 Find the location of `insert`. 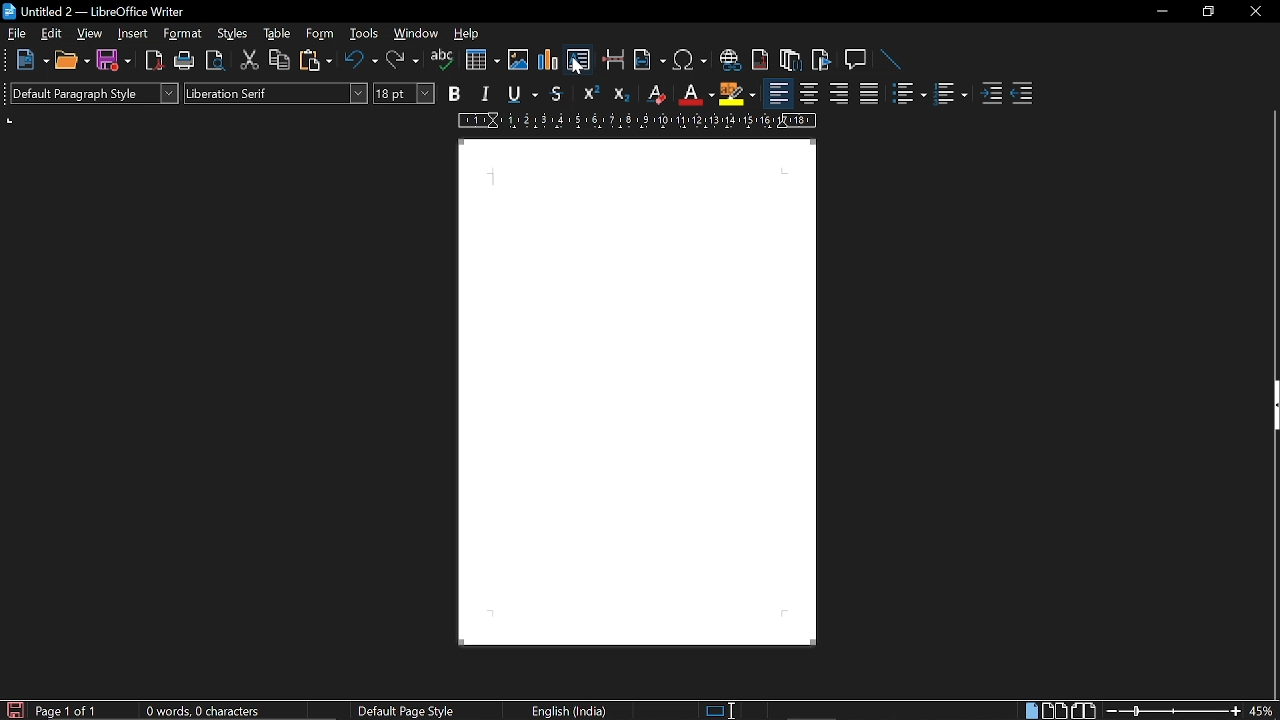

insert is located at coordinates (133, 34).